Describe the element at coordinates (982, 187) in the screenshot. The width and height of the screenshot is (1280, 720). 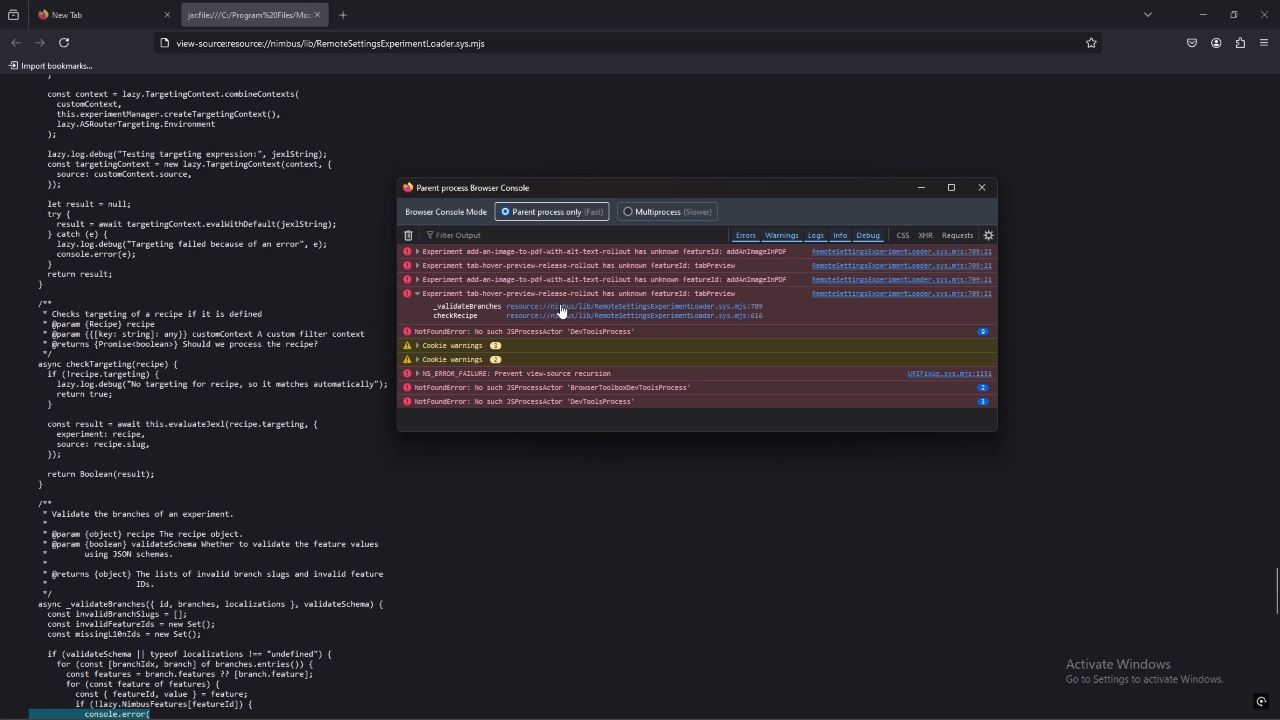
I see `close` at that location.